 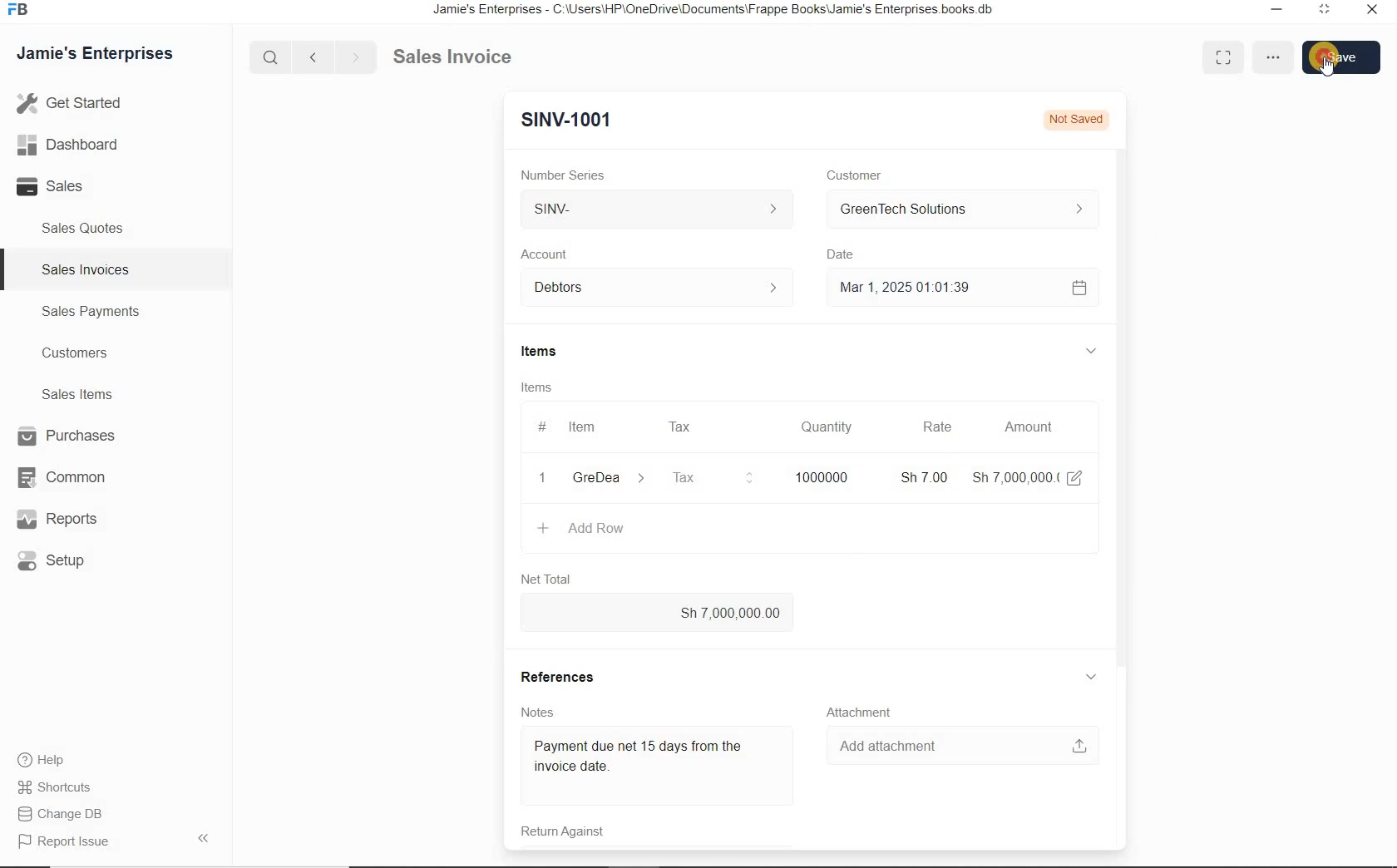 I want to click on full screen, so click(x=1212, y=57).